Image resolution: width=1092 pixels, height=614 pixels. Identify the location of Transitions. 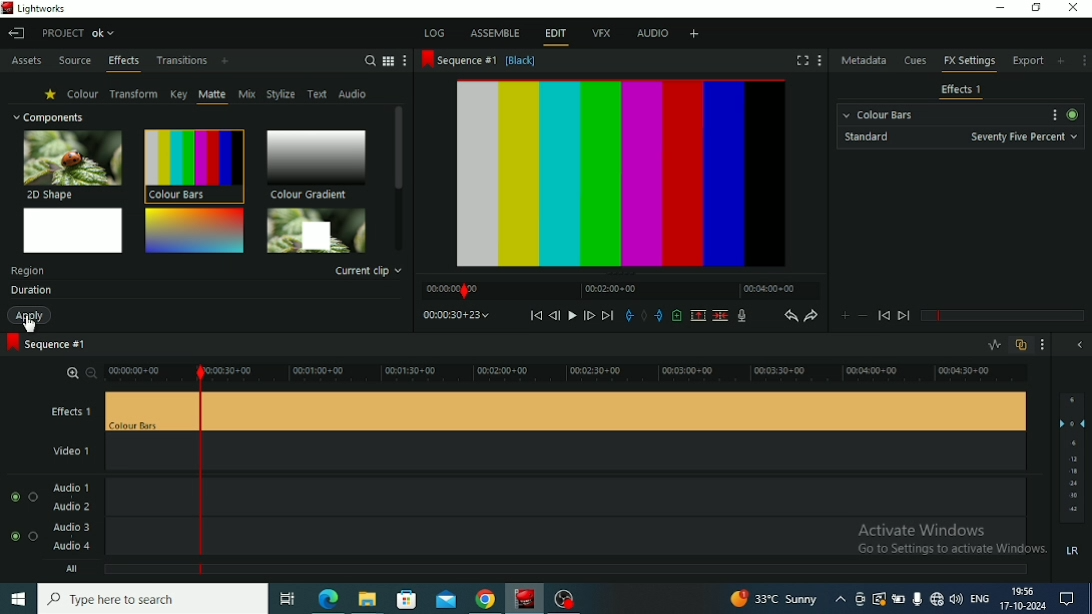
(182, 61).